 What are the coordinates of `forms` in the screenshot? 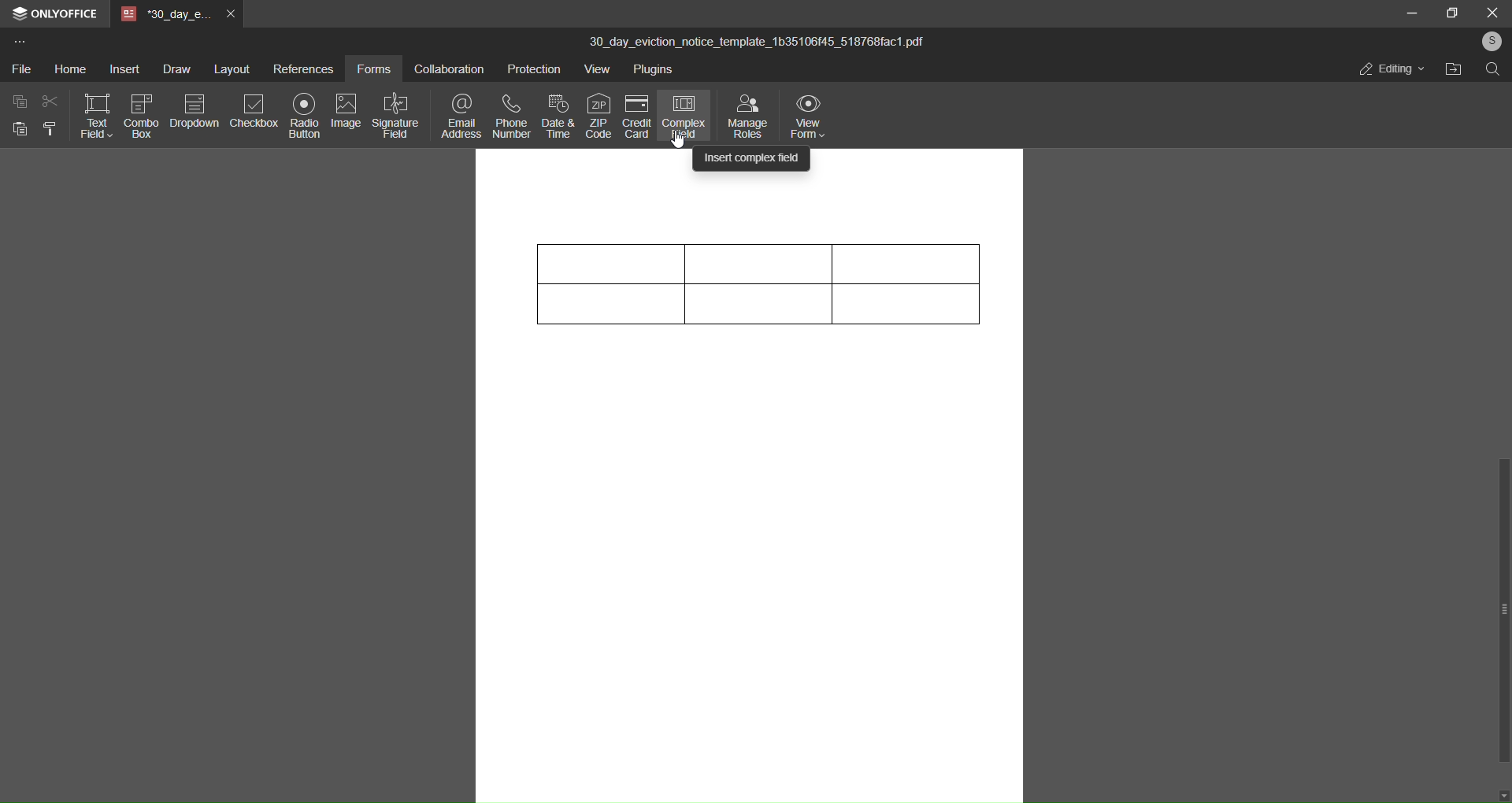 It's located at (374, 68).